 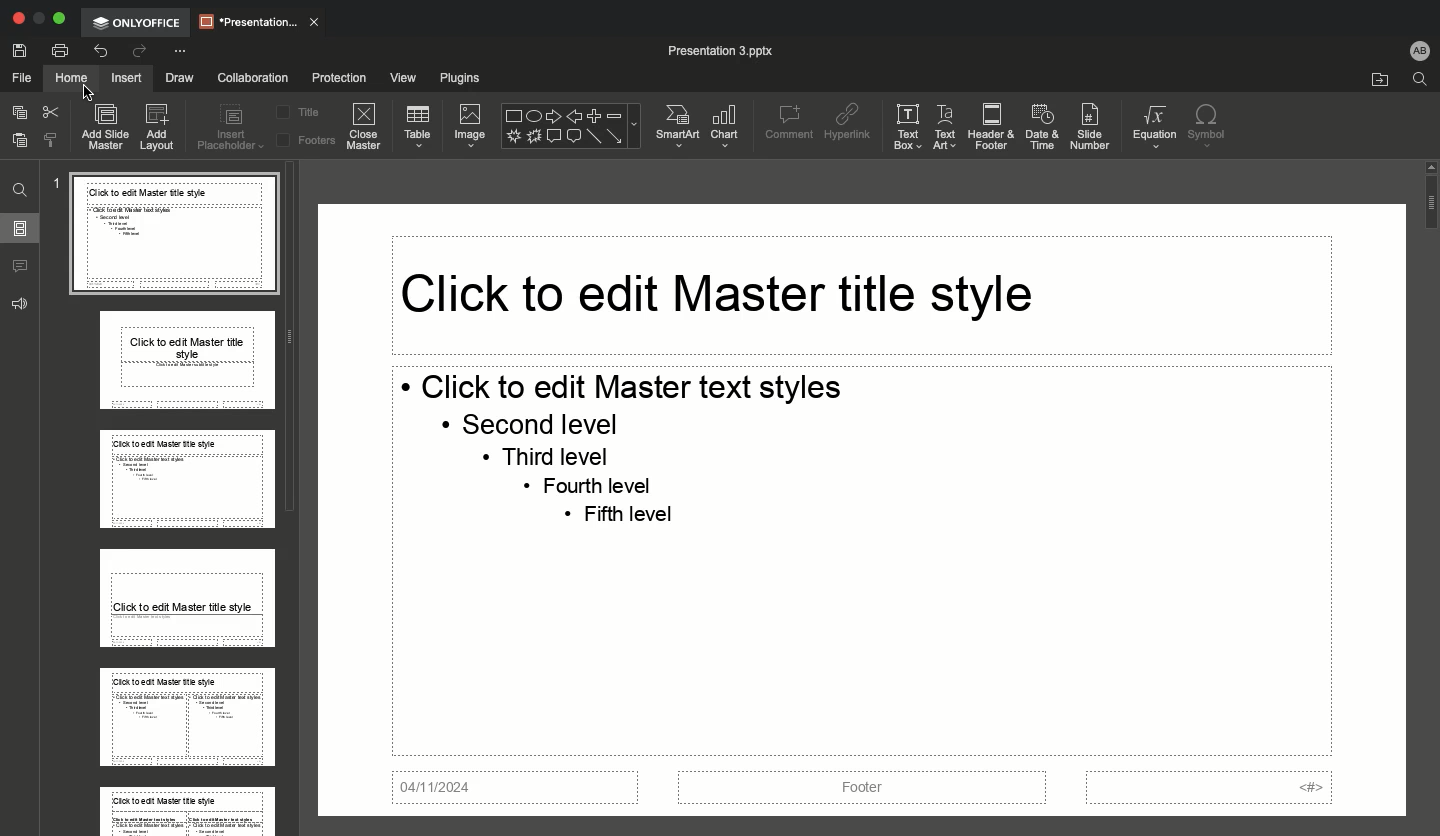 I want to click on Open file location, so click(x=1376, y=79).